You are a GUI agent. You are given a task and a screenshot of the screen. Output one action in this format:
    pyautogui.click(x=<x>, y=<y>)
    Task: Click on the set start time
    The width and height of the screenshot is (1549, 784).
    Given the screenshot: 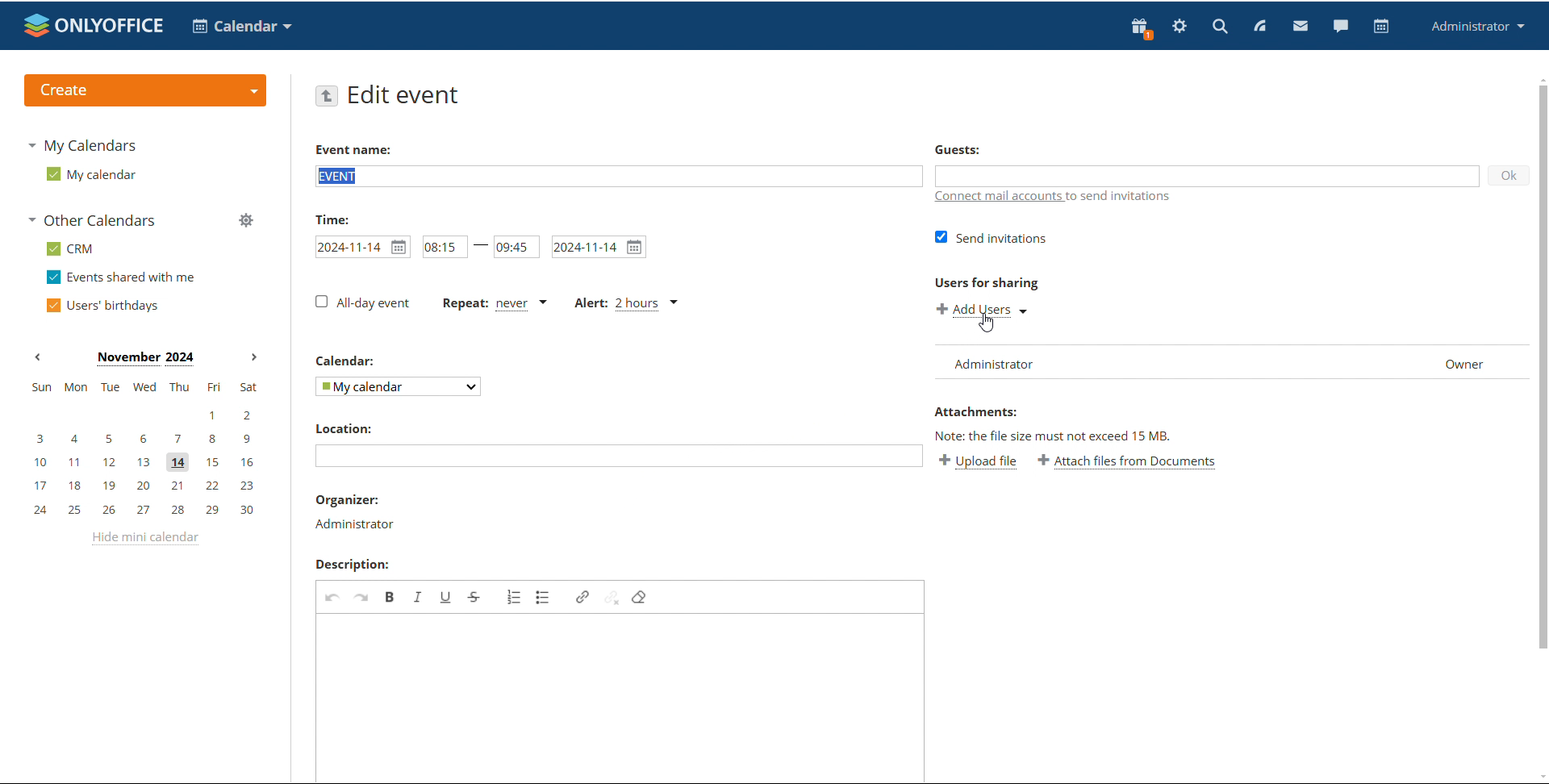 What is the action you would take?
    pyautogui.click(x=445, y=246)
    